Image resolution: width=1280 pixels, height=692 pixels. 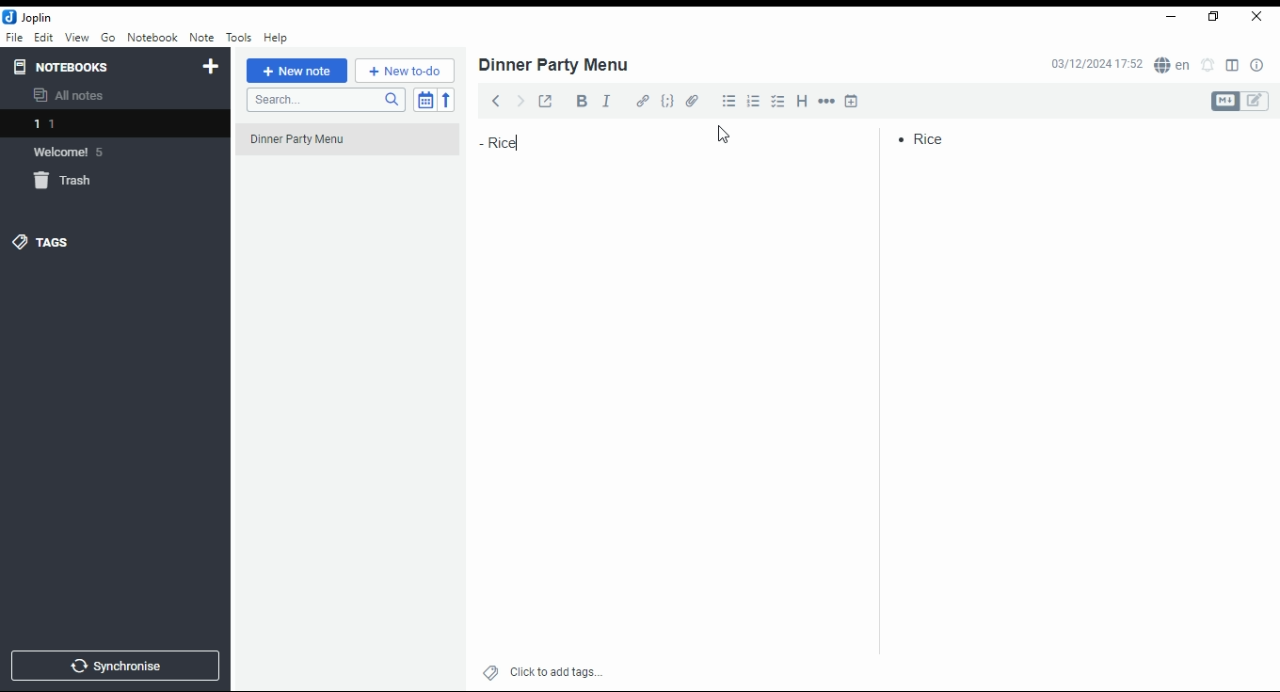 I want to click on click to add tags, so click(x=554, y=671).